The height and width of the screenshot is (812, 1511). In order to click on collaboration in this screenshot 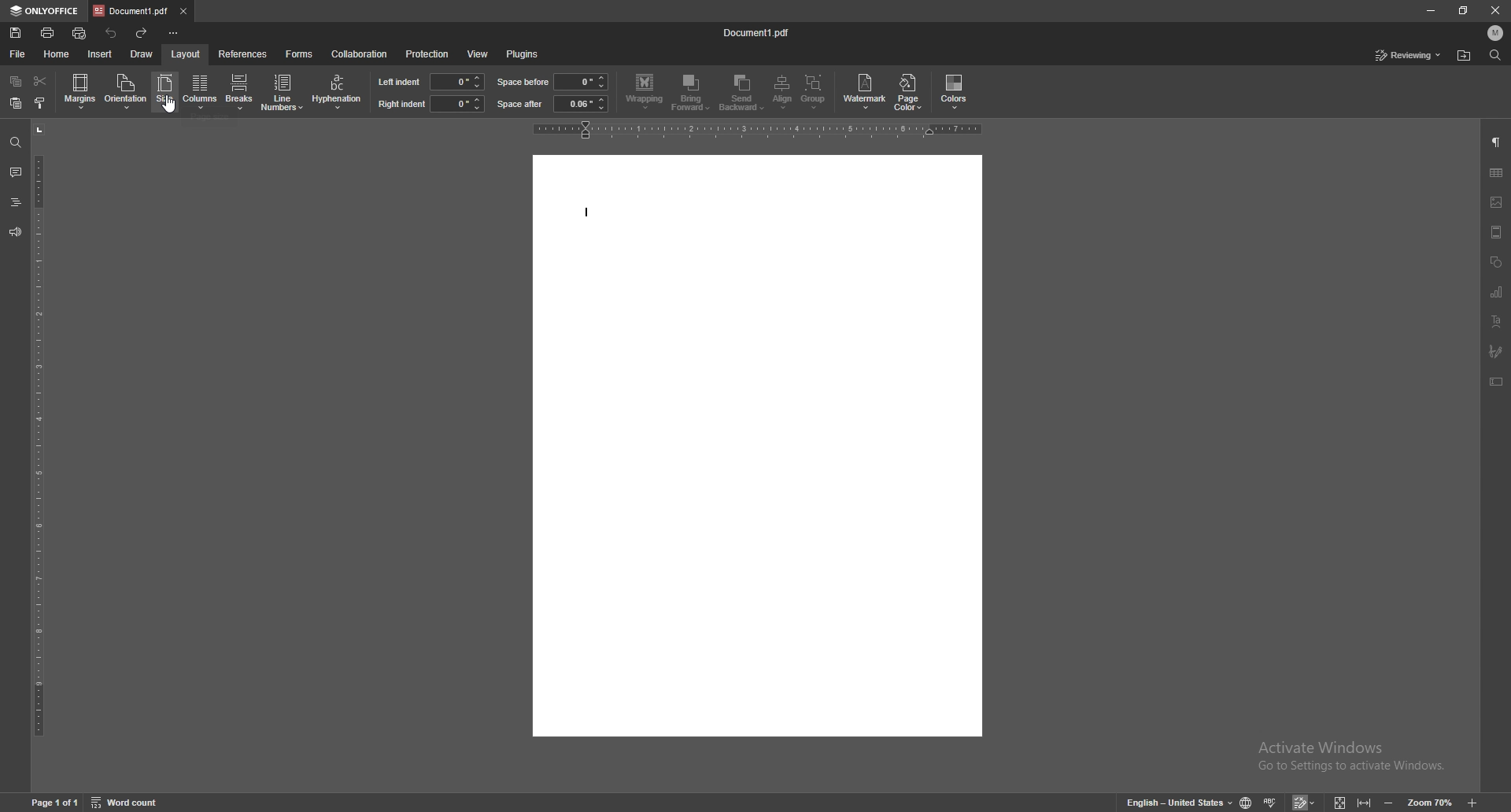, I will do `click(359, 54)`.